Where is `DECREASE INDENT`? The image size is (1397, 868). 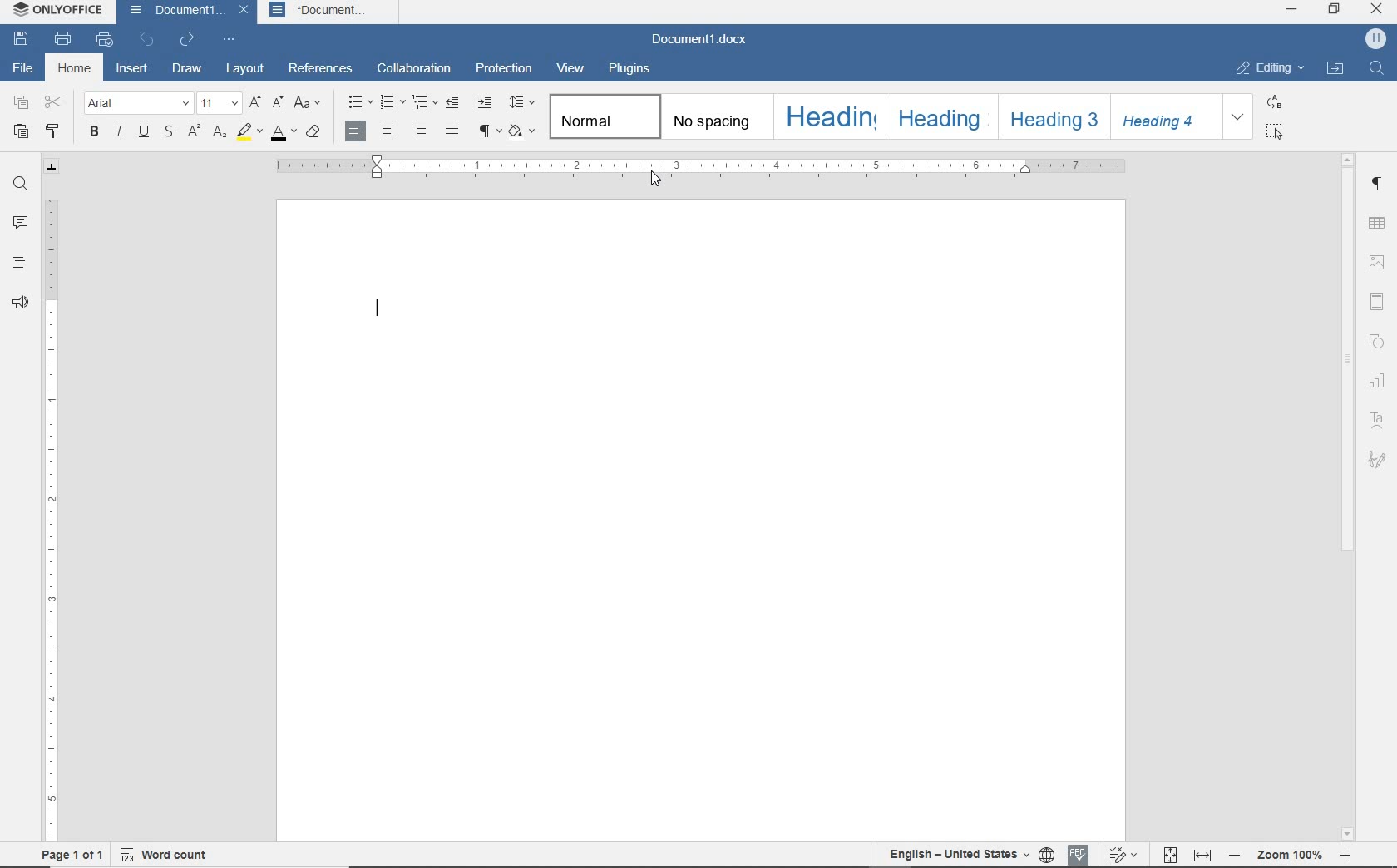
DECREASE INDENT is located at coordinates (453, 102).